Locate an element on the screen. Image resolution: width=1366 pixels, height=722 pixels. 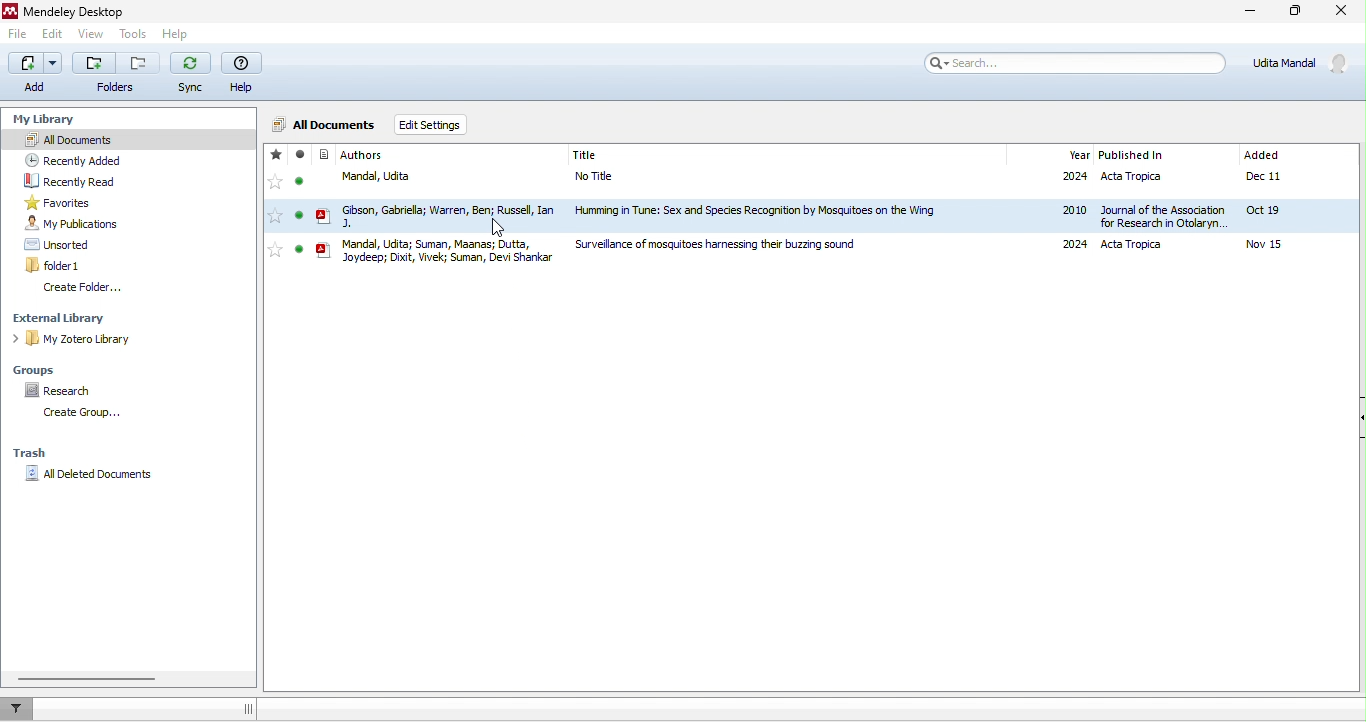
external library is located at coordinates (64, 316).